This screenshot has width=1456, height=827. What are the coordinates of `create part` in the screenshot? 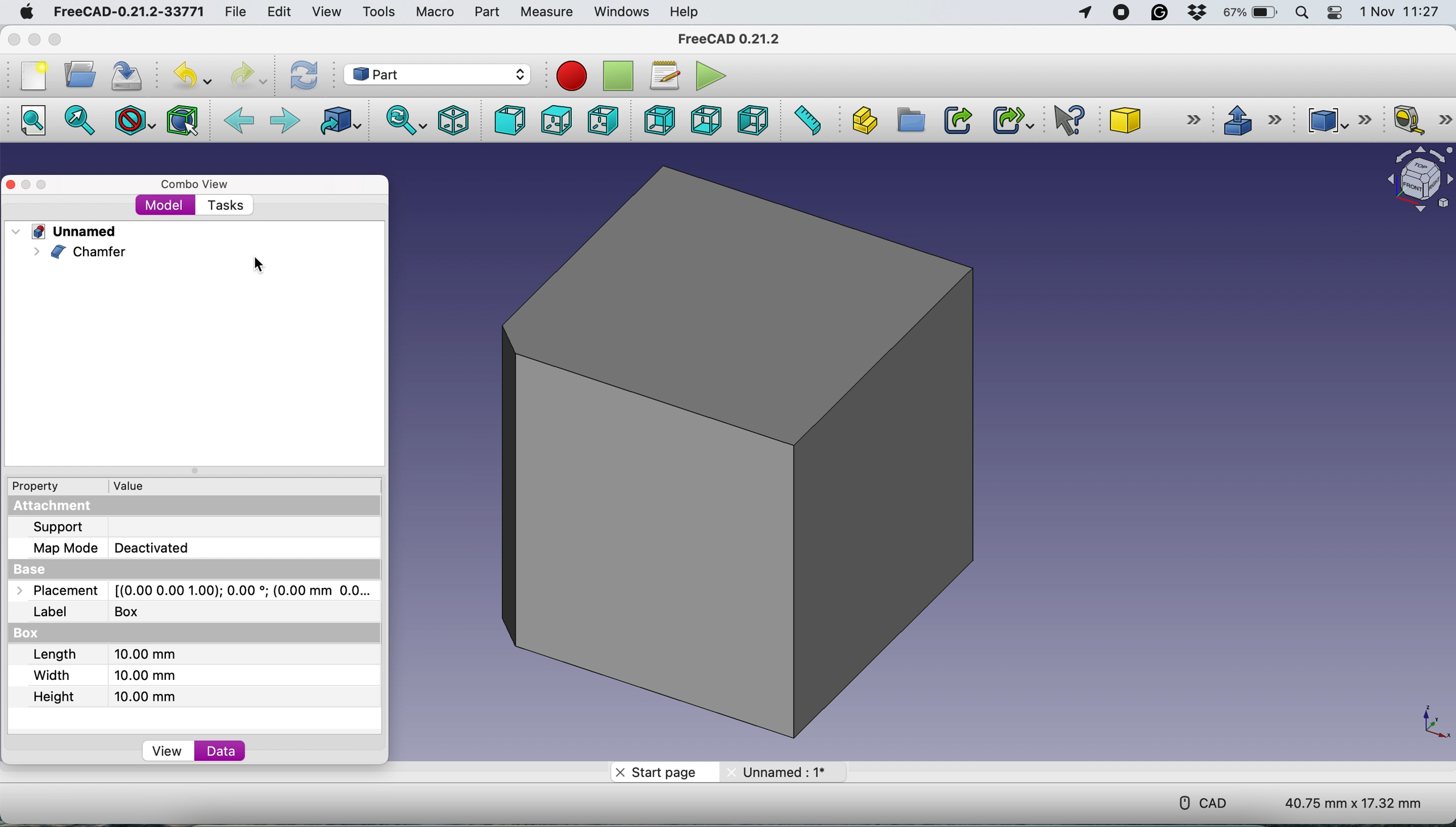 It's located at (865, 120).